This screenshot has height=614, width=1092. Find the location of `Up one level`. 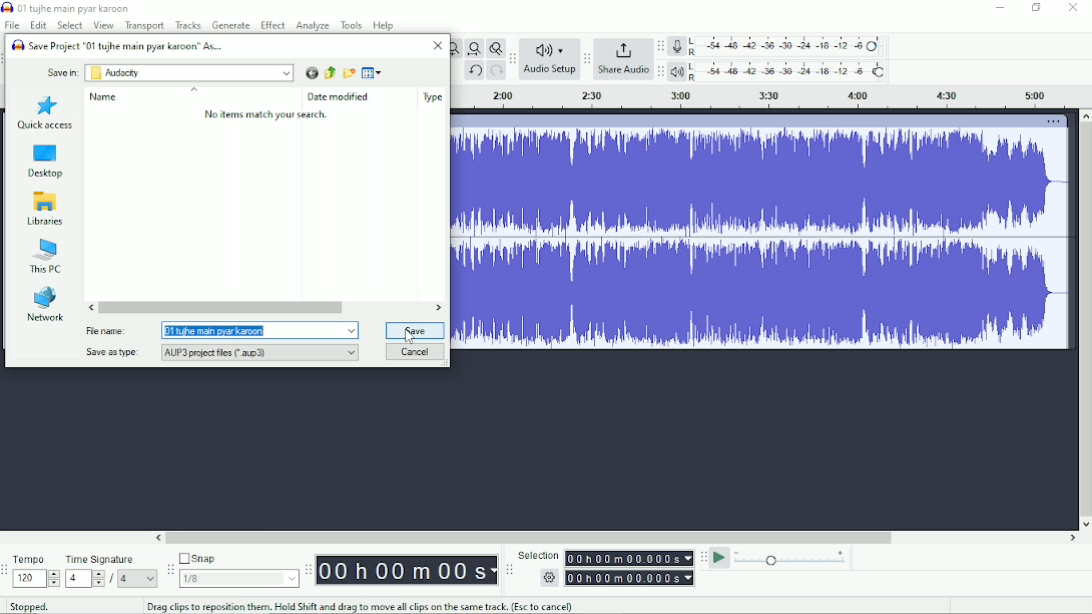

Up one level is located at coordinates (328, 72).